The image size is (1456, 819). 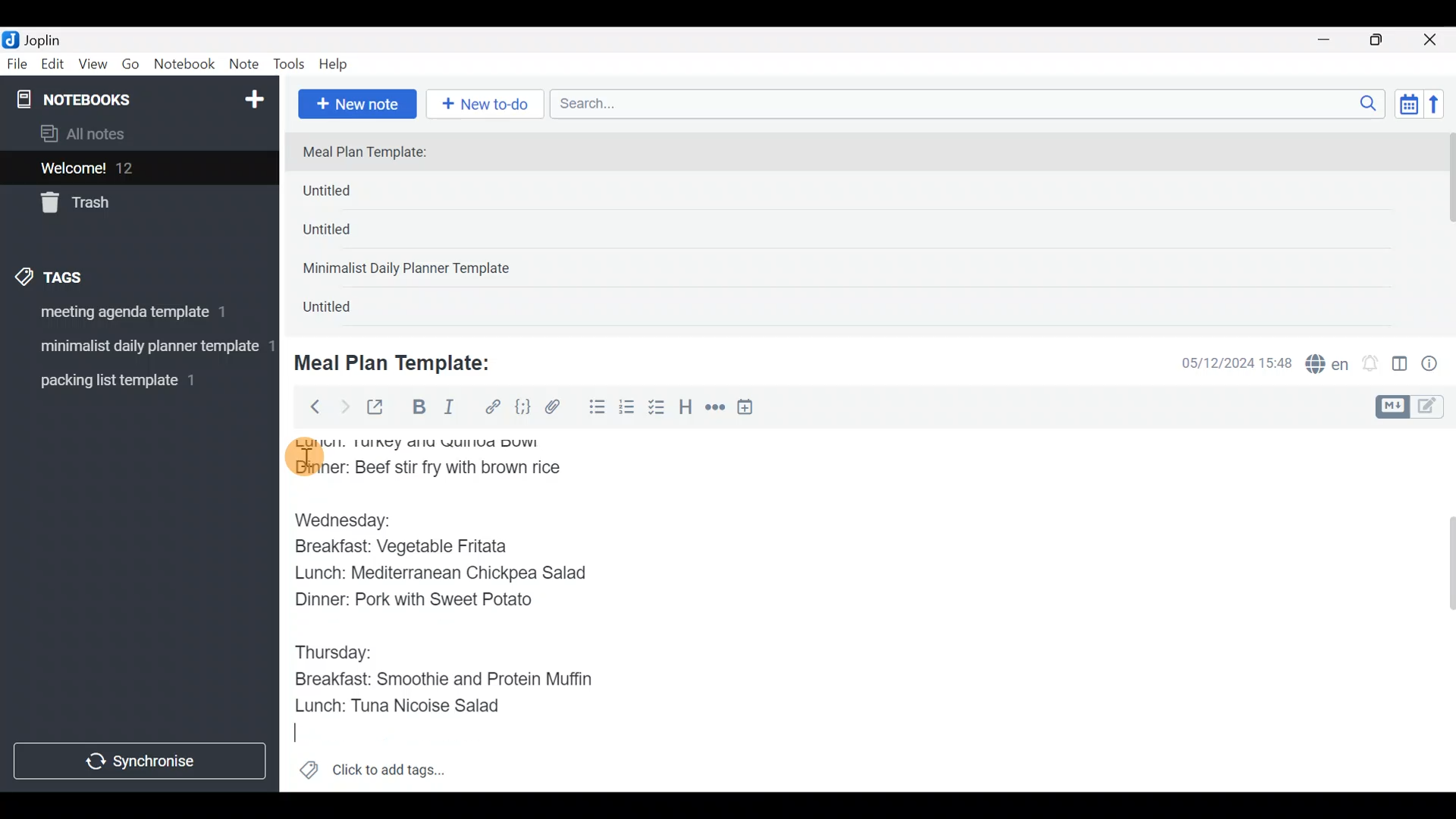 What do you see at coordinates (253, 96) in the screenshot?
I see `New` at bounding box center [253, 96].